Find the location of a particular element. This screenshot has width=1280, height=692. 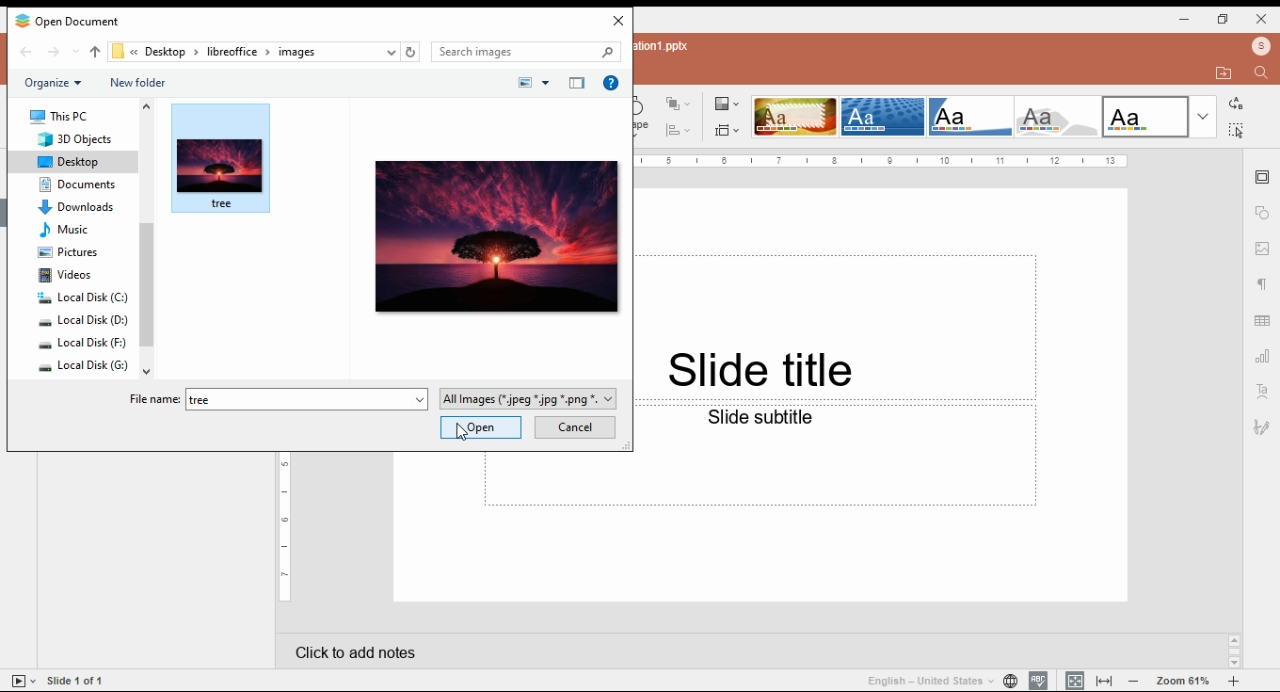

text art  settings is located at coordinates (1262, 390).